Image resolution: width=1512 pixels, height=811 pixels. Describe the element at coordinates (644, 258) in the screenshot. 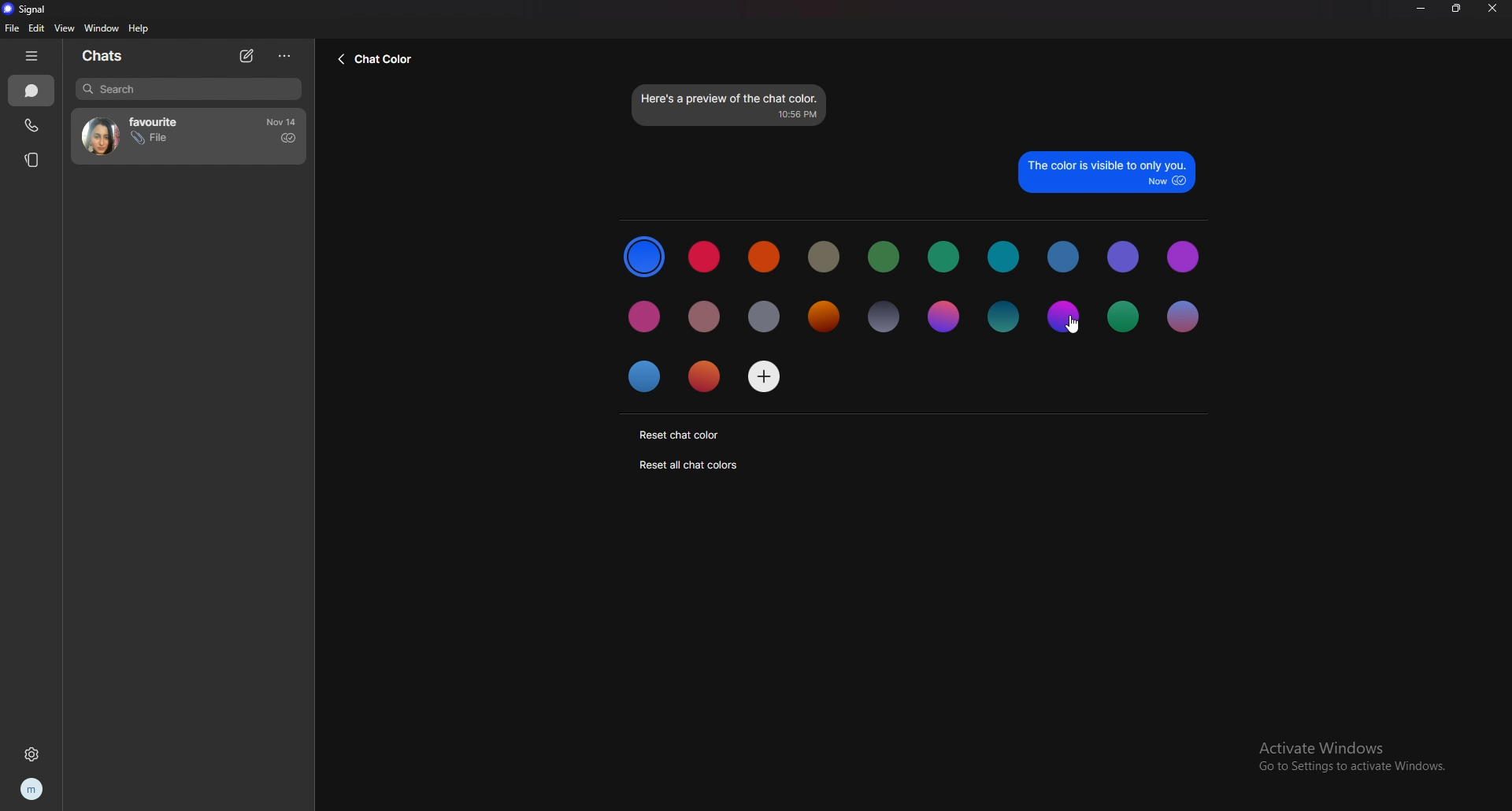

I see `selected color` at that location.